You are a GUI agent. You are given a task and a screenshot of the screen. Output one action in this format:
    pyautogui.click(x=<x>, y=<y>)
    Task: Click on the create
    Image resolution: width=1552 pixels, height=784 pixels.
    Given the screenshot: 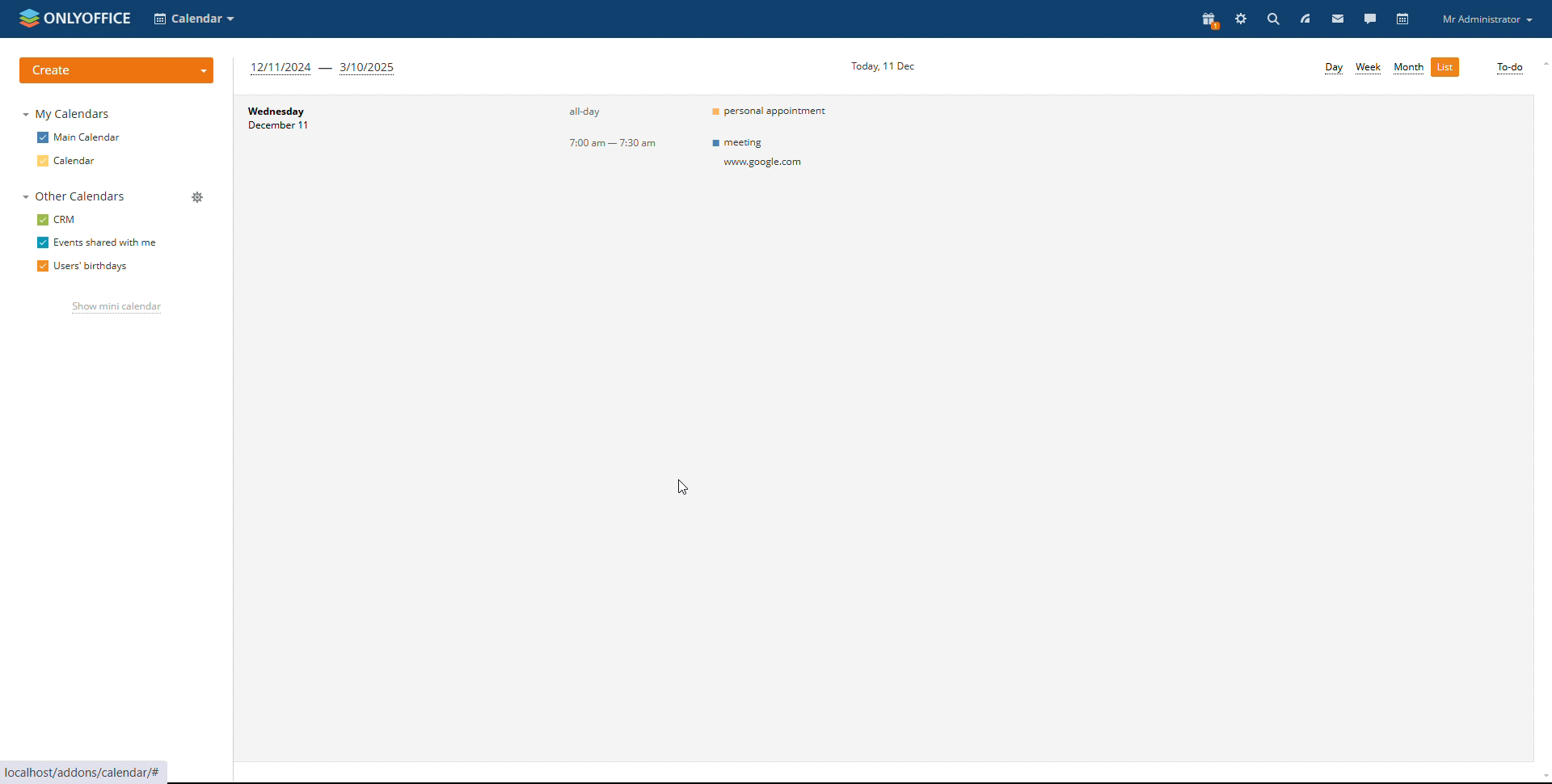 What is the action you would take?
    pyautogui.click(x=117, y=70)
    